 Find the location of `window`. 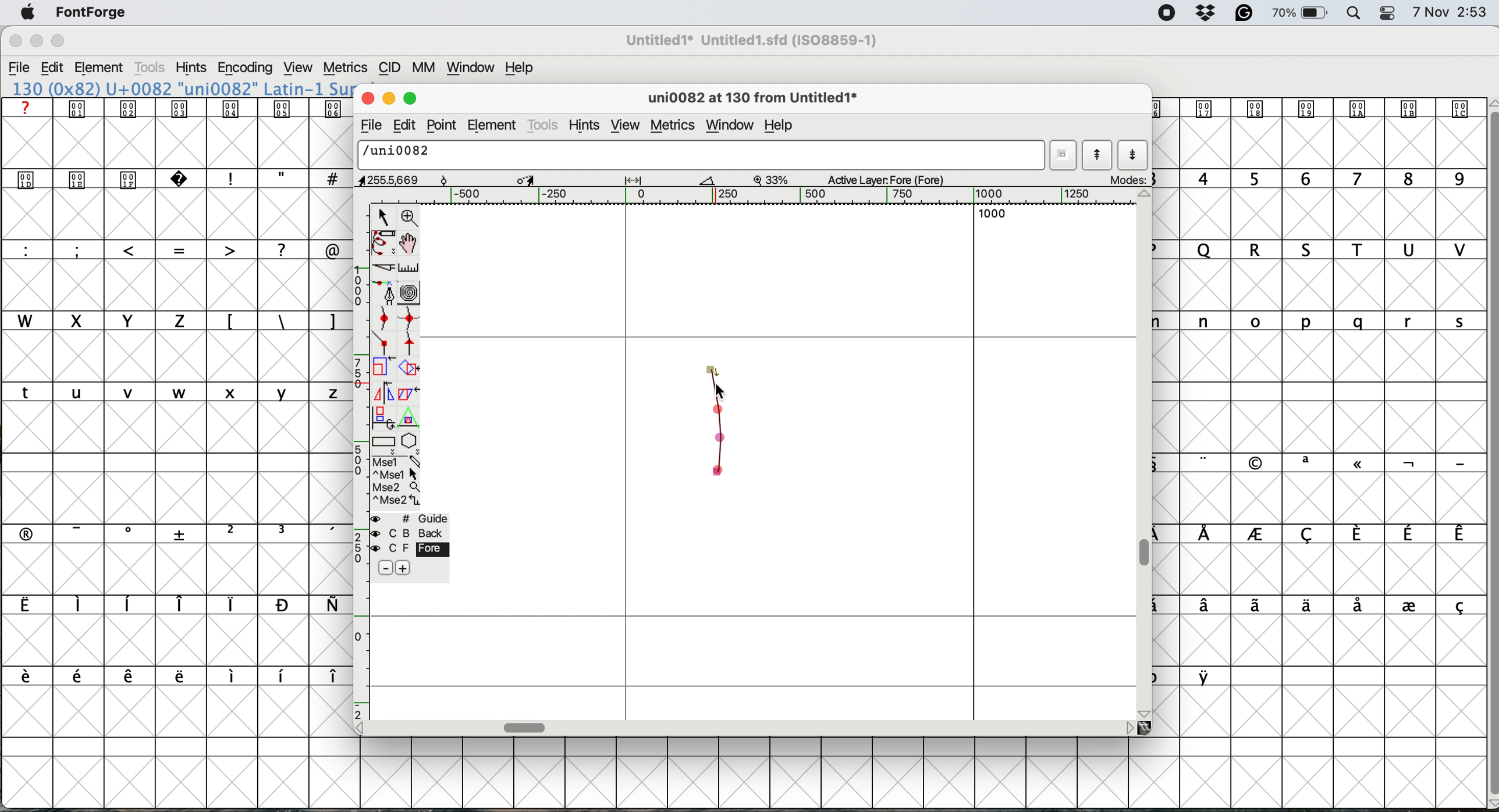

window is located at coordinates (474, 69).